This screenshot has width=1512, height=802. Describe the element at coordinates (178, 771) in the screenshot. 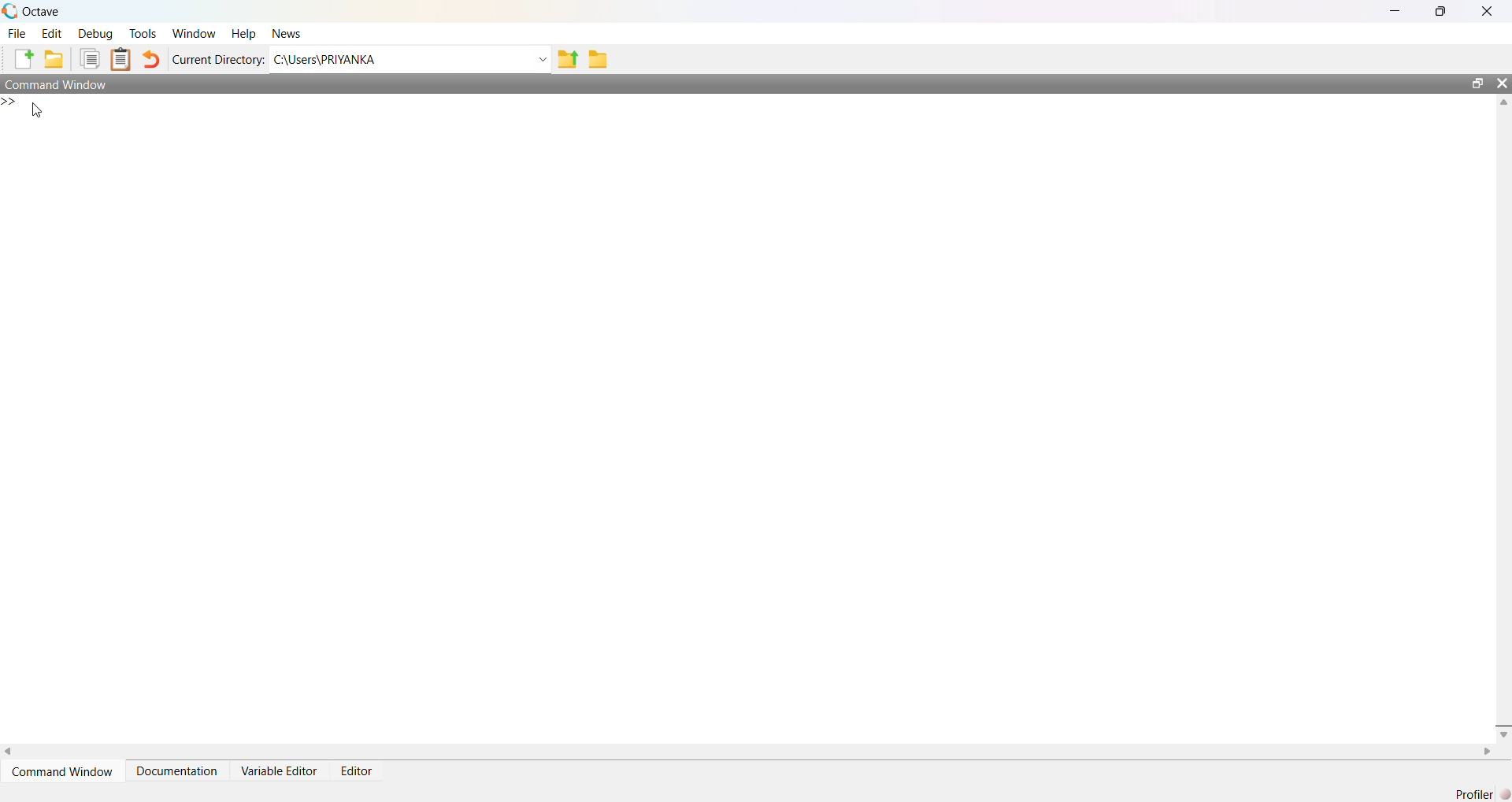

I see `Documentation` at that location.